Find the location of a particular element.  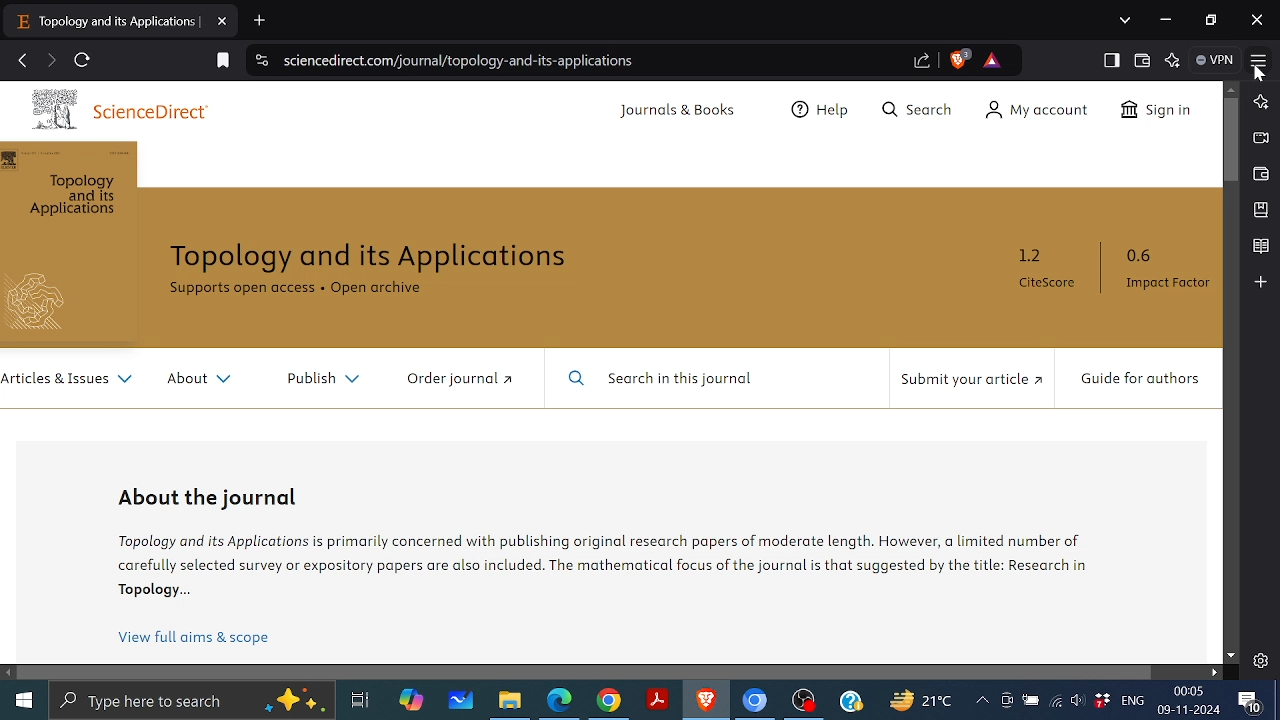

Search tabs is located at coordinates (1126, 20).